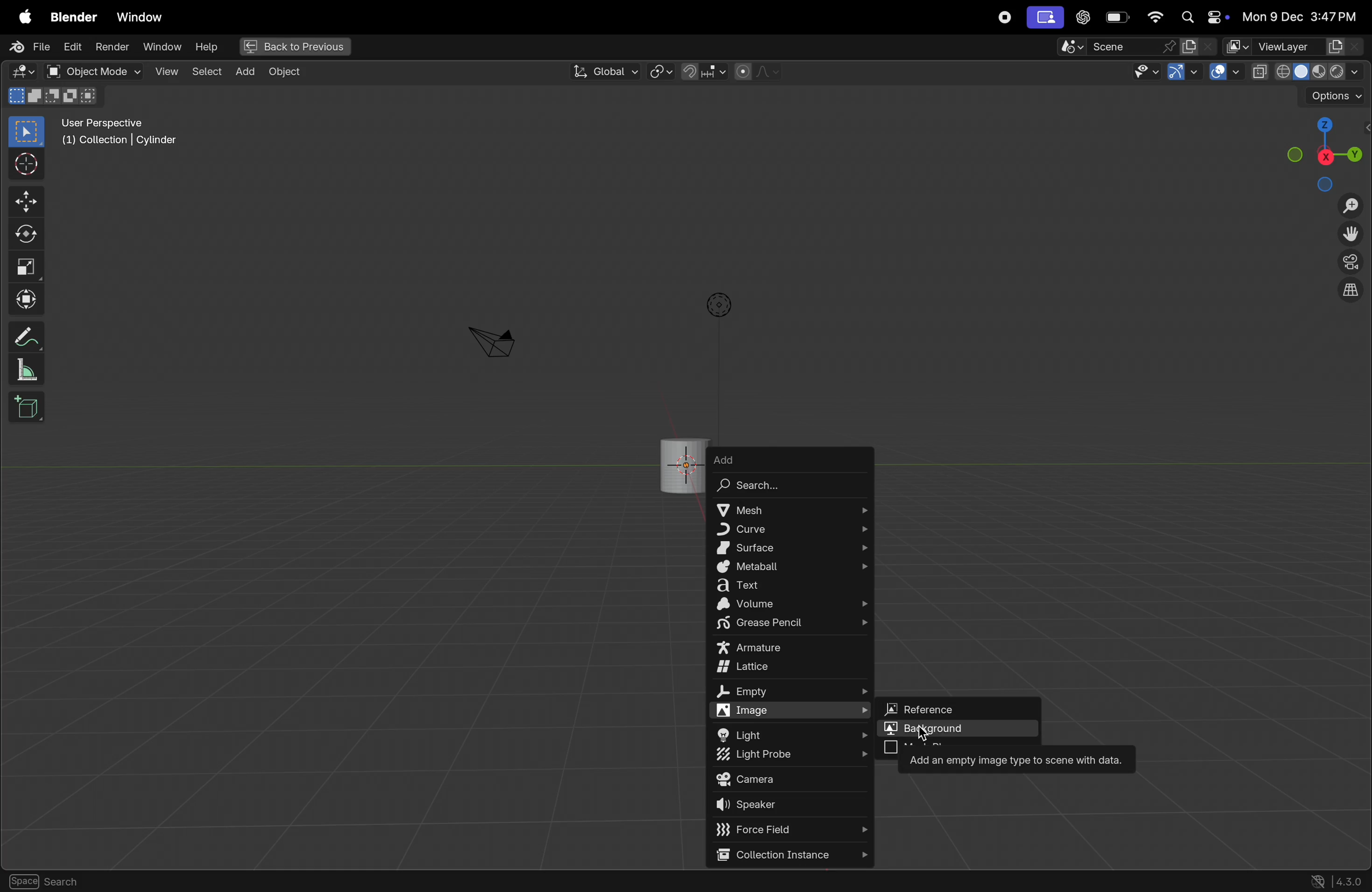 The height and width of the screenshot is (892, 1372). Describe the element at coordinates (790, 780) in the screenshot. I see `camera` at that location.